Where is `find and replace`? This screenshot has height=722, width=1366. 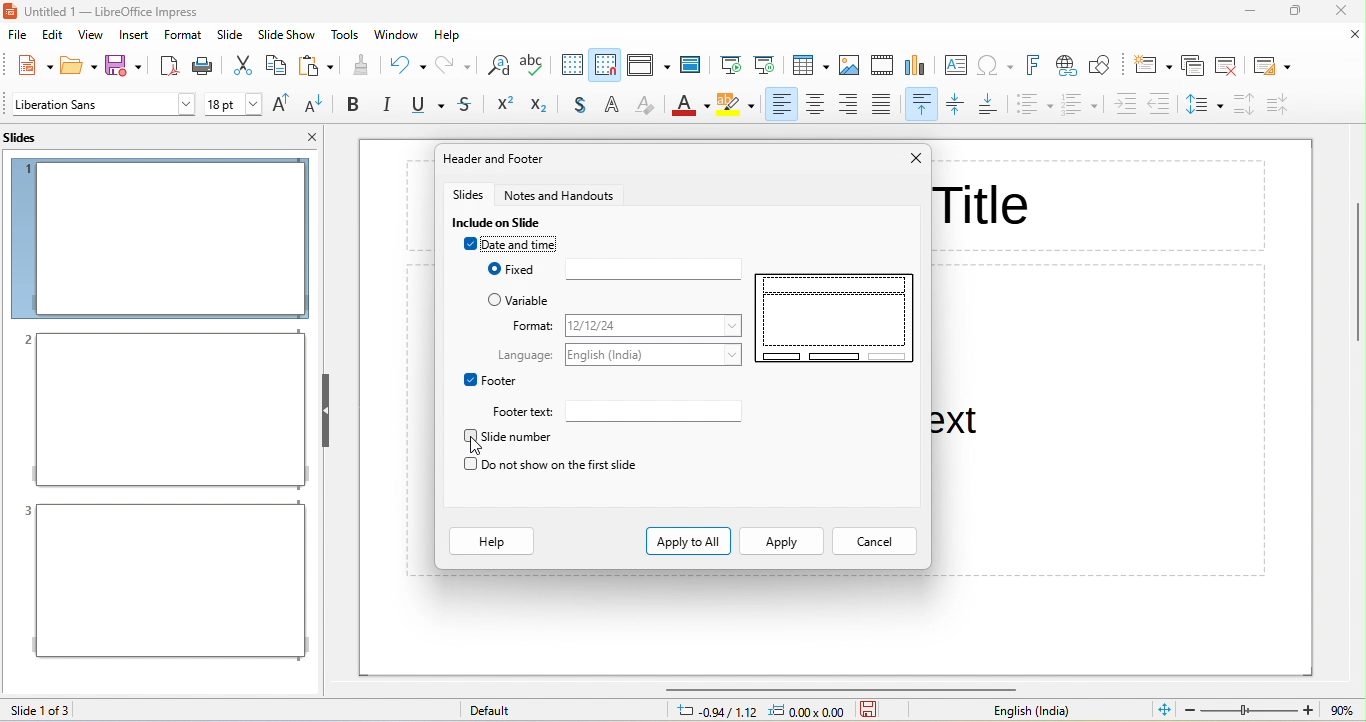 find and replace is located at coordinates (496, 67).